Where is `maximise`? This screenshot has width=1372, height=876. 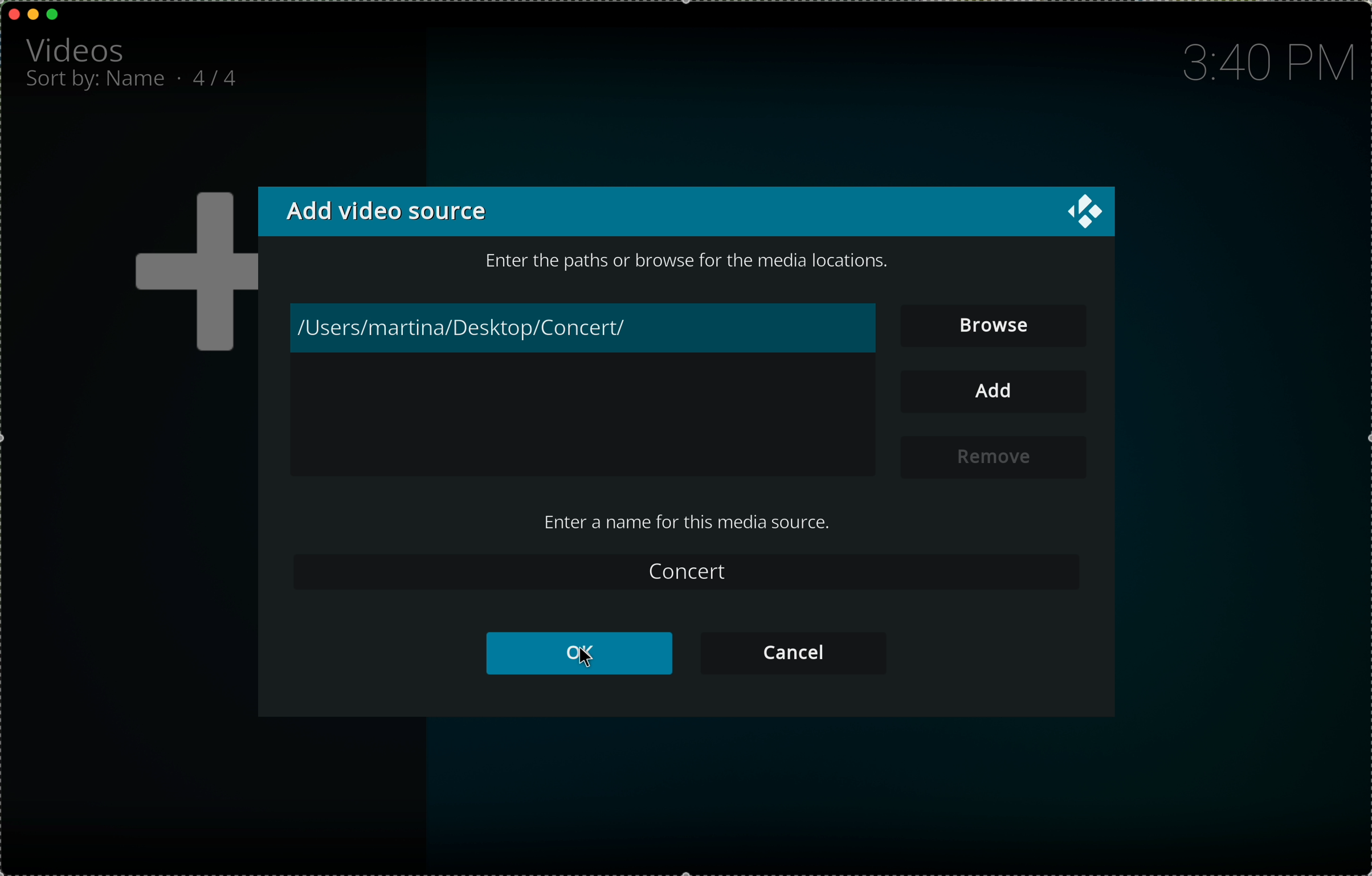
maximise is located at coordinates (54, 14).